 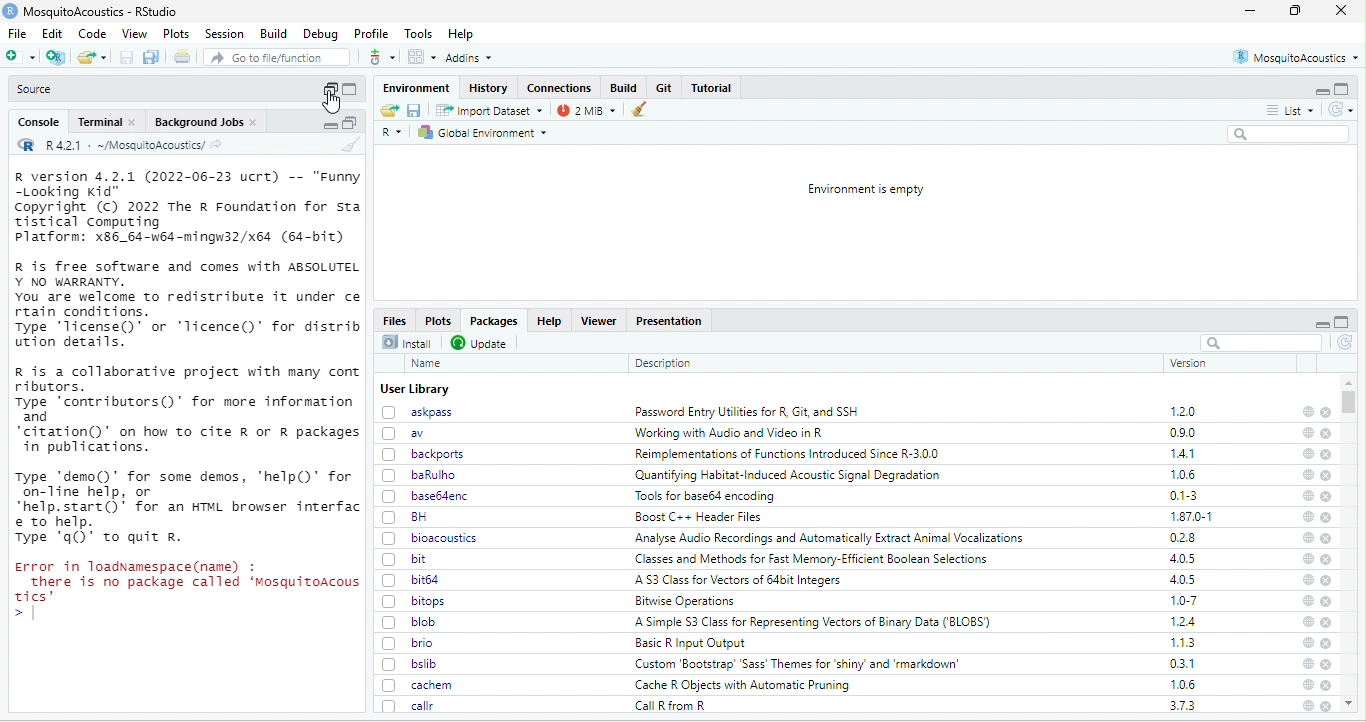 I want to click on 1.0.6, so click(x=1185, y=474).